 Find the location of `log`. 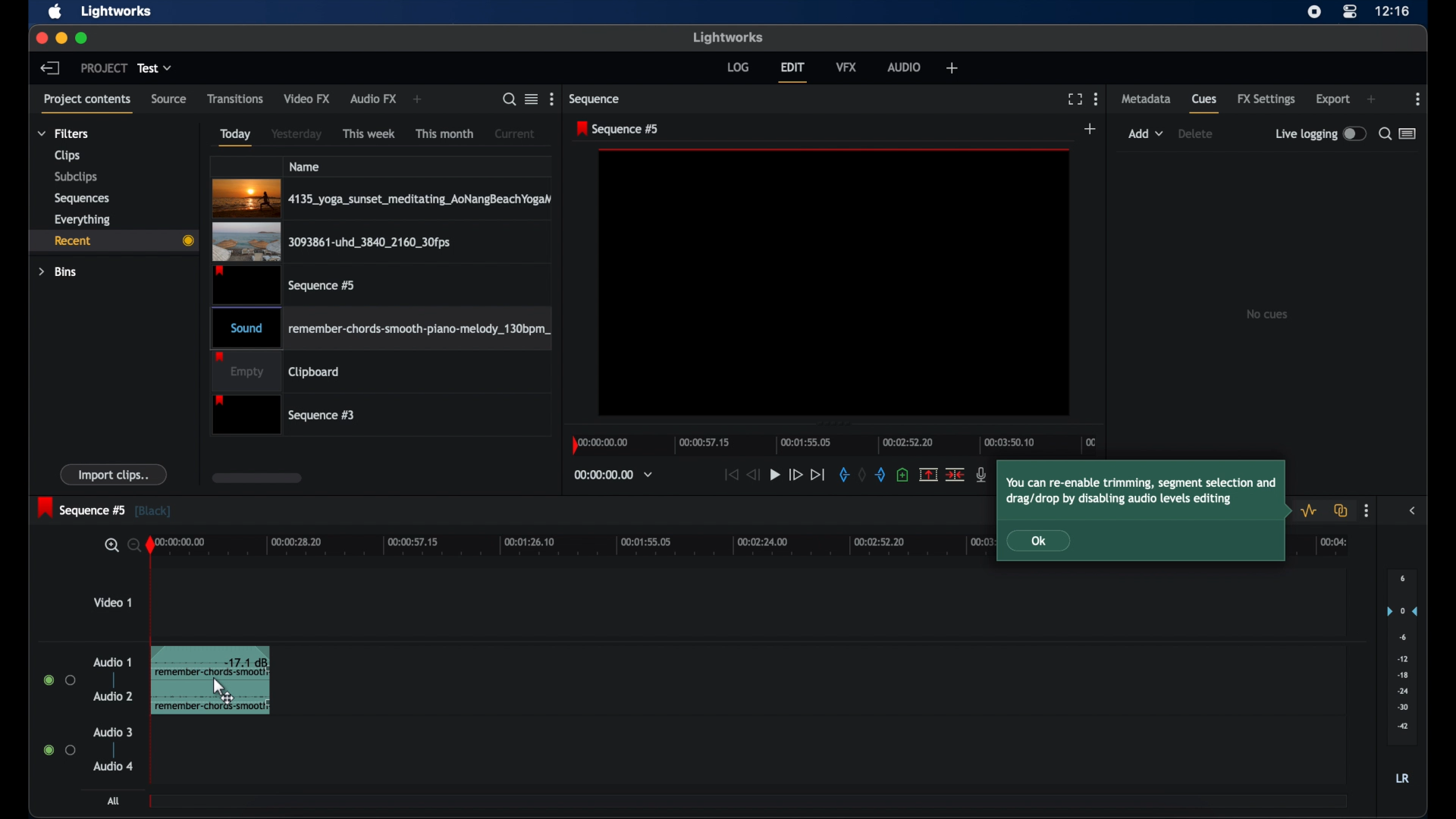

log is located at coordinates (738, 67).